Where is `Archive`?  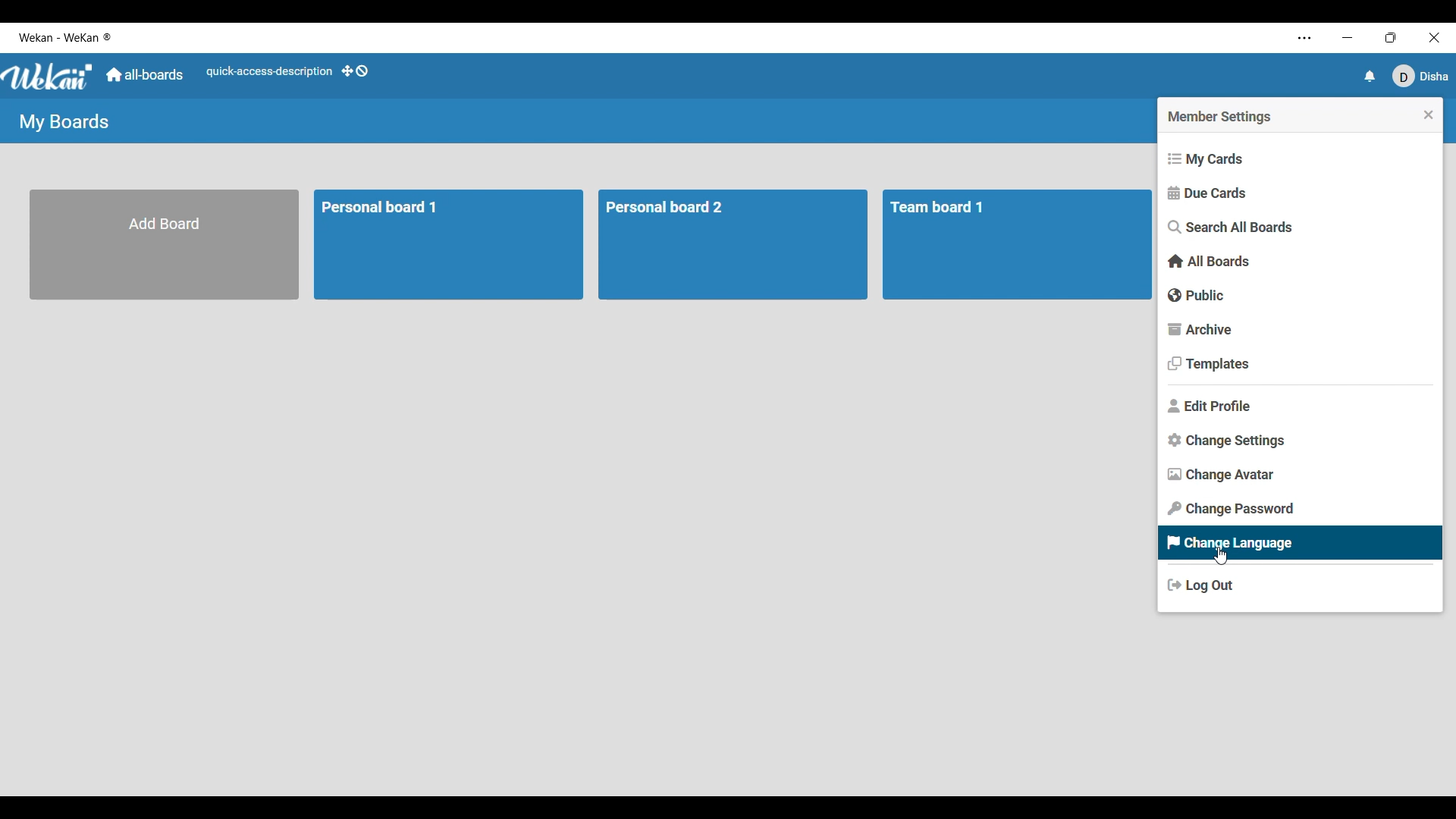 Archive is located at coordinates (1299, 330).